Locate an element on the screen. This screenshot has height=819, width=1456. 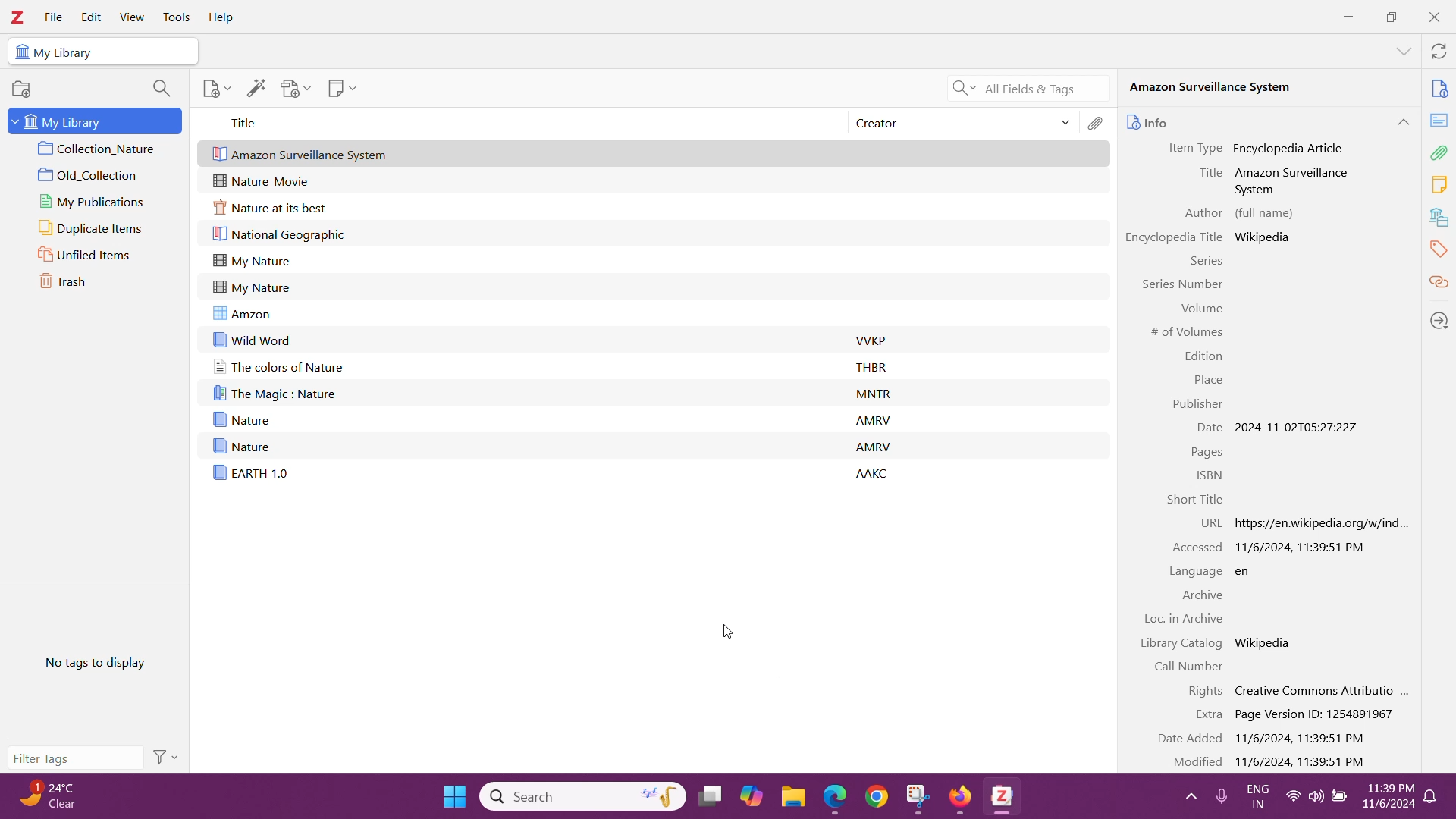
chrome is located at coordinates (879, 798).